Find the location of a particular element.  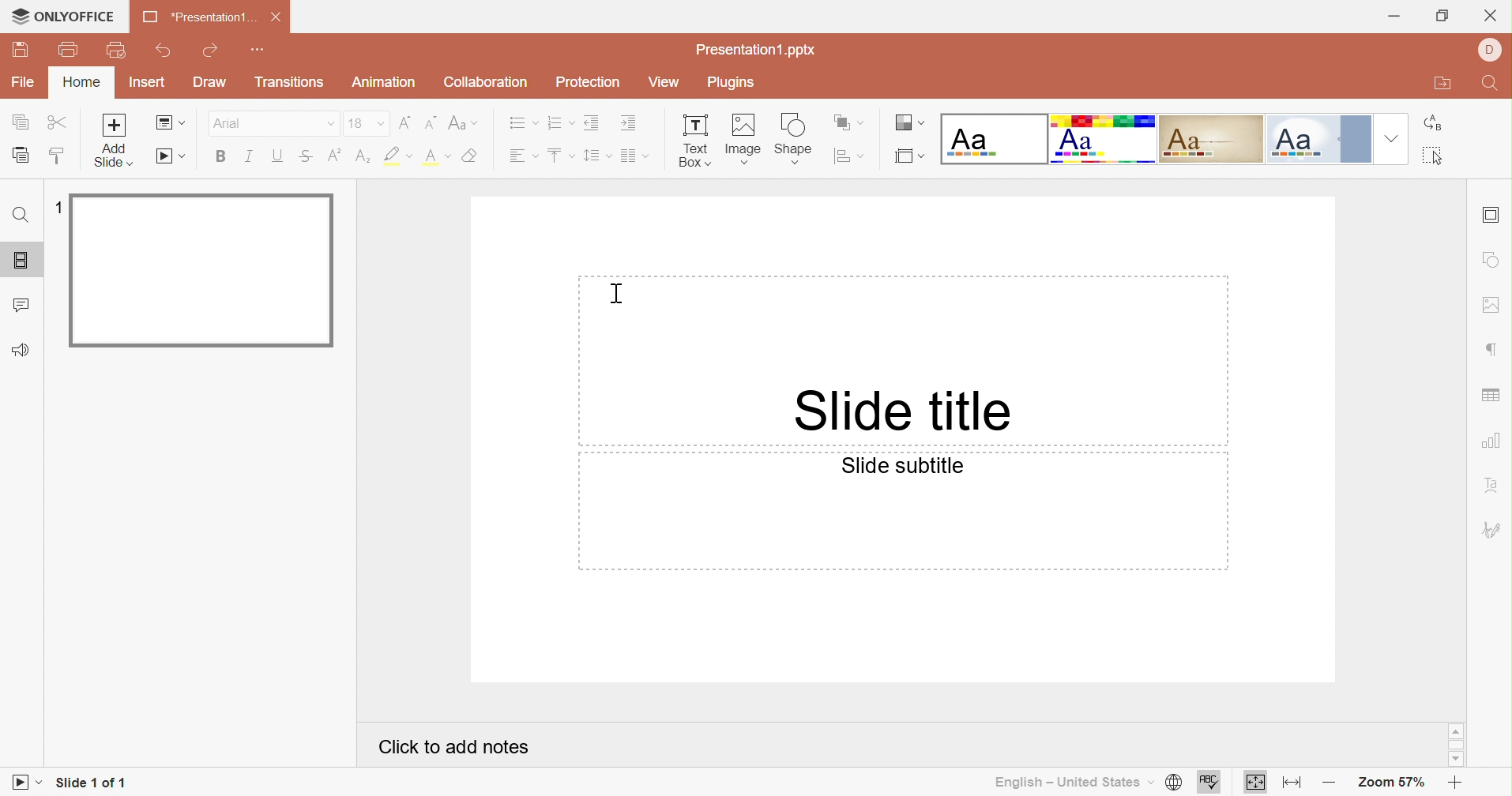

print is located at coordinates (69, 51).